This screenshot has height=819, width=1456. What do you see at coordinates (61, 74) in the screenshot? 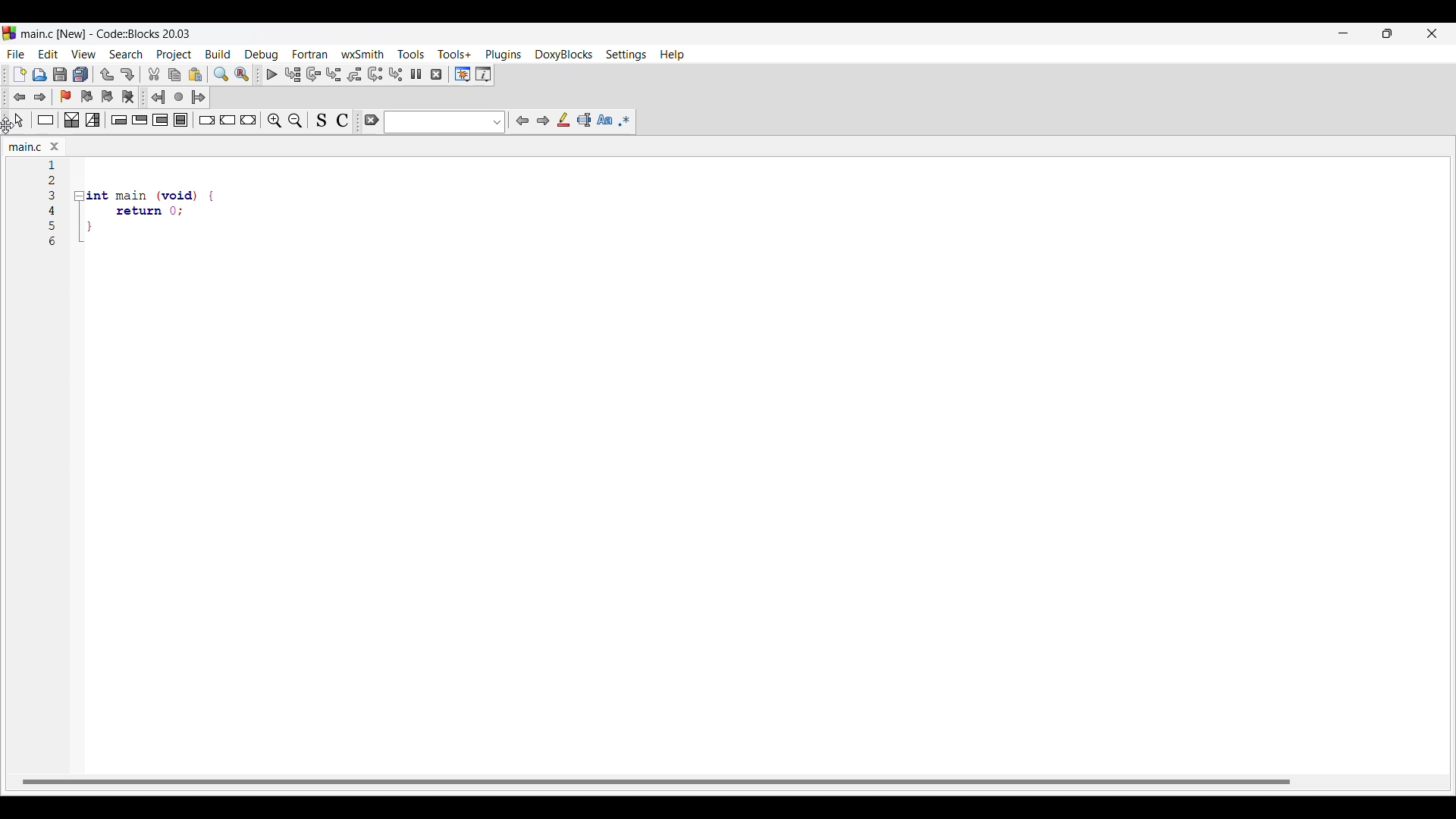
I see `Save` at bounding box center [61, 74].